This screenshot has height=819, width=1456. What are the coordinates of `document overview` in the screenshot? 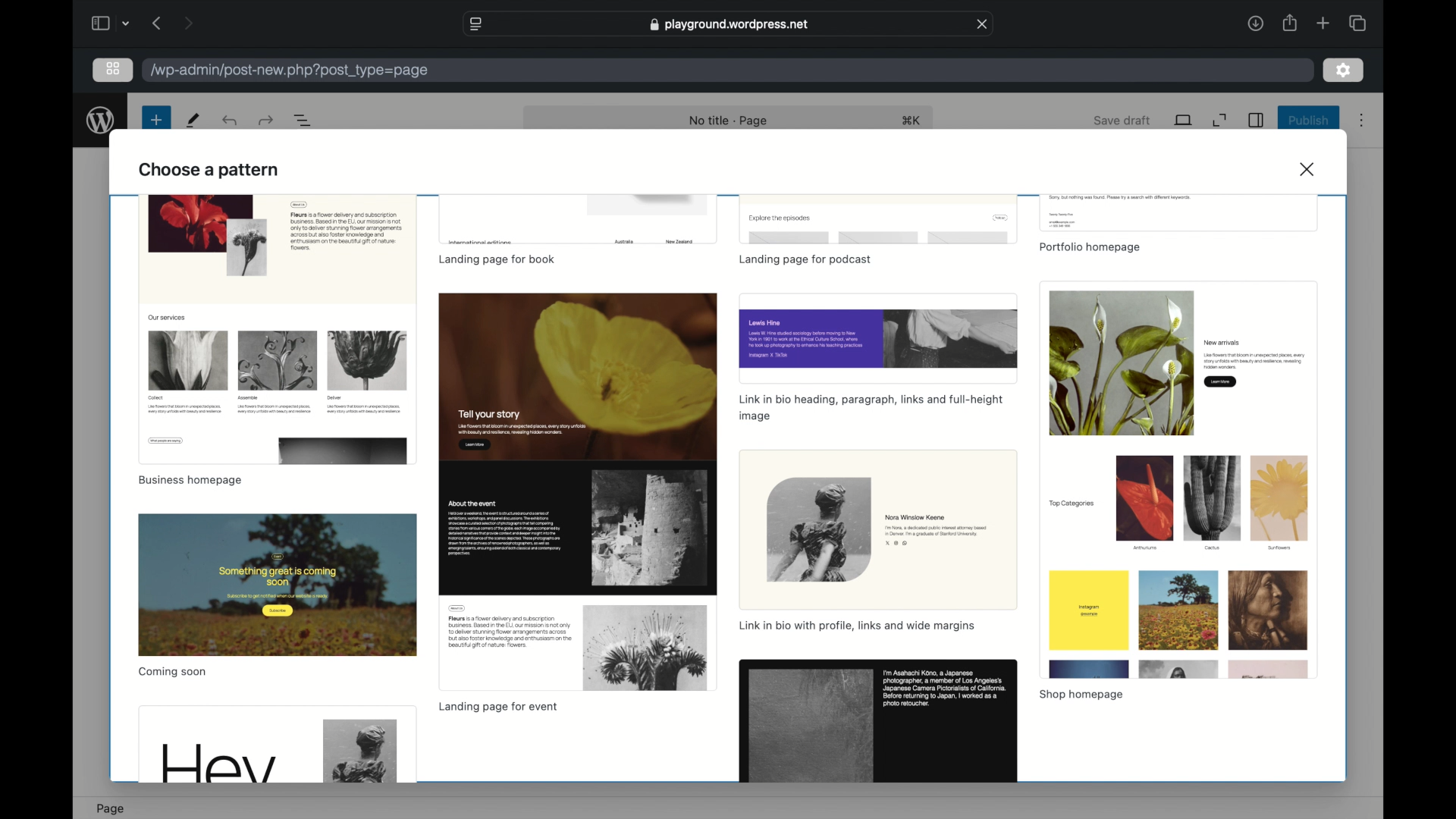 It's located at (304, 119).